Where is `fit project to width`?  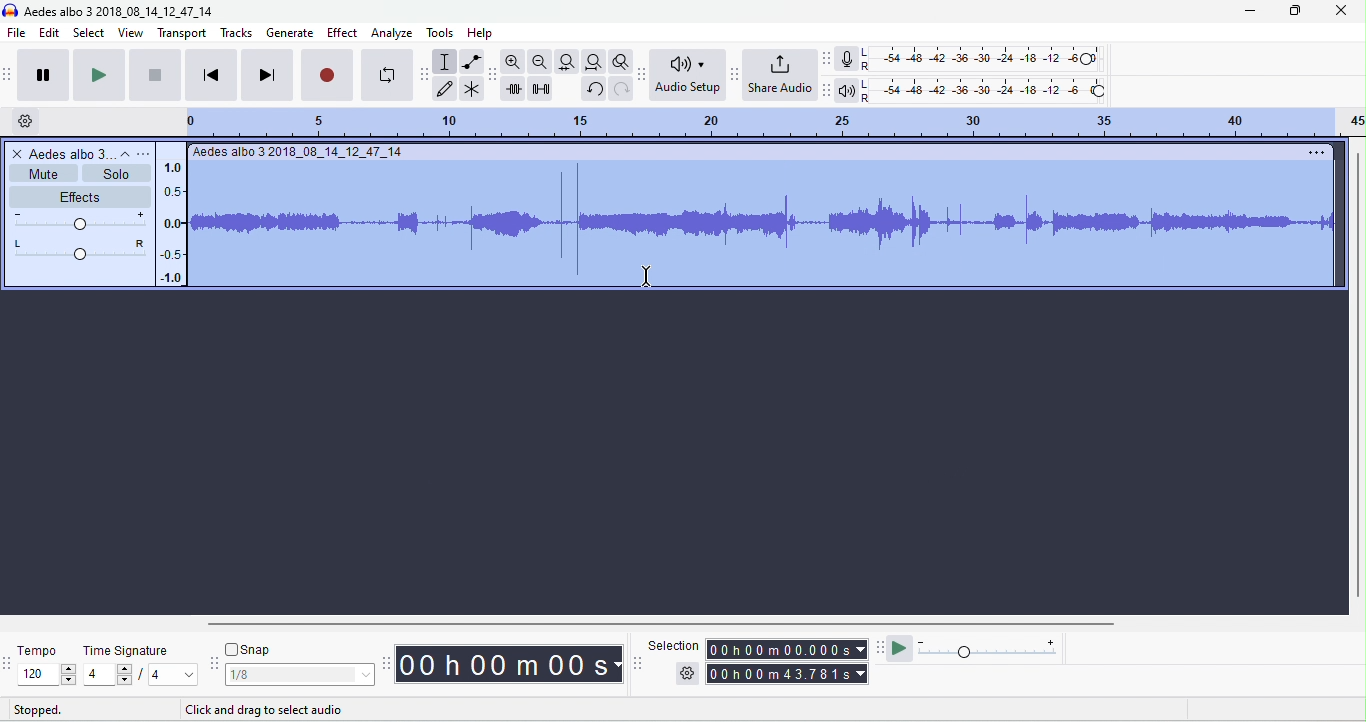
fit project to width is located at coordinates (593, 61).